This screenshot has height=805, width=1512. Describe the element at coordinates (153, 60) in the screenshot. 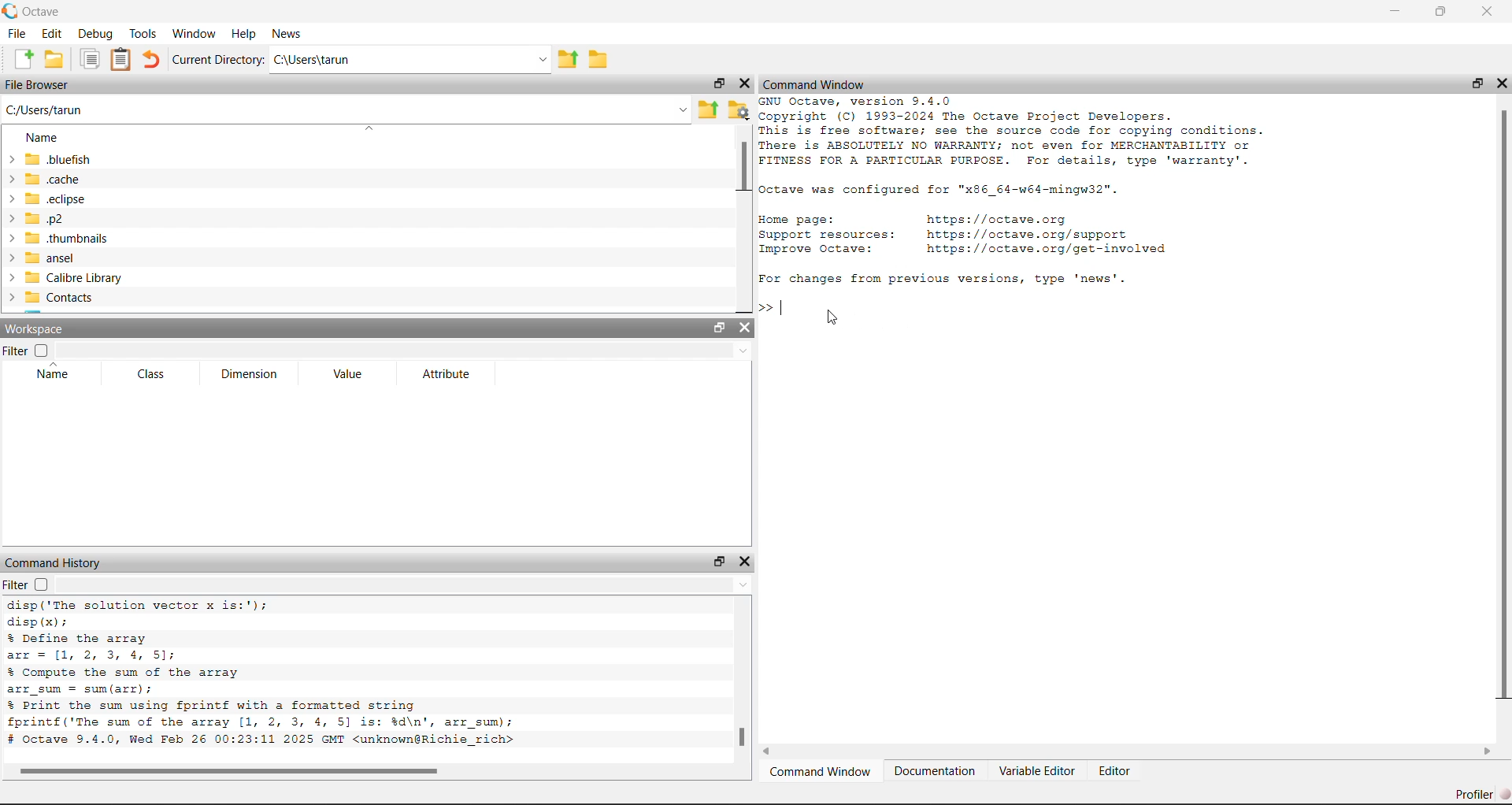

I see `Undo` at that location.